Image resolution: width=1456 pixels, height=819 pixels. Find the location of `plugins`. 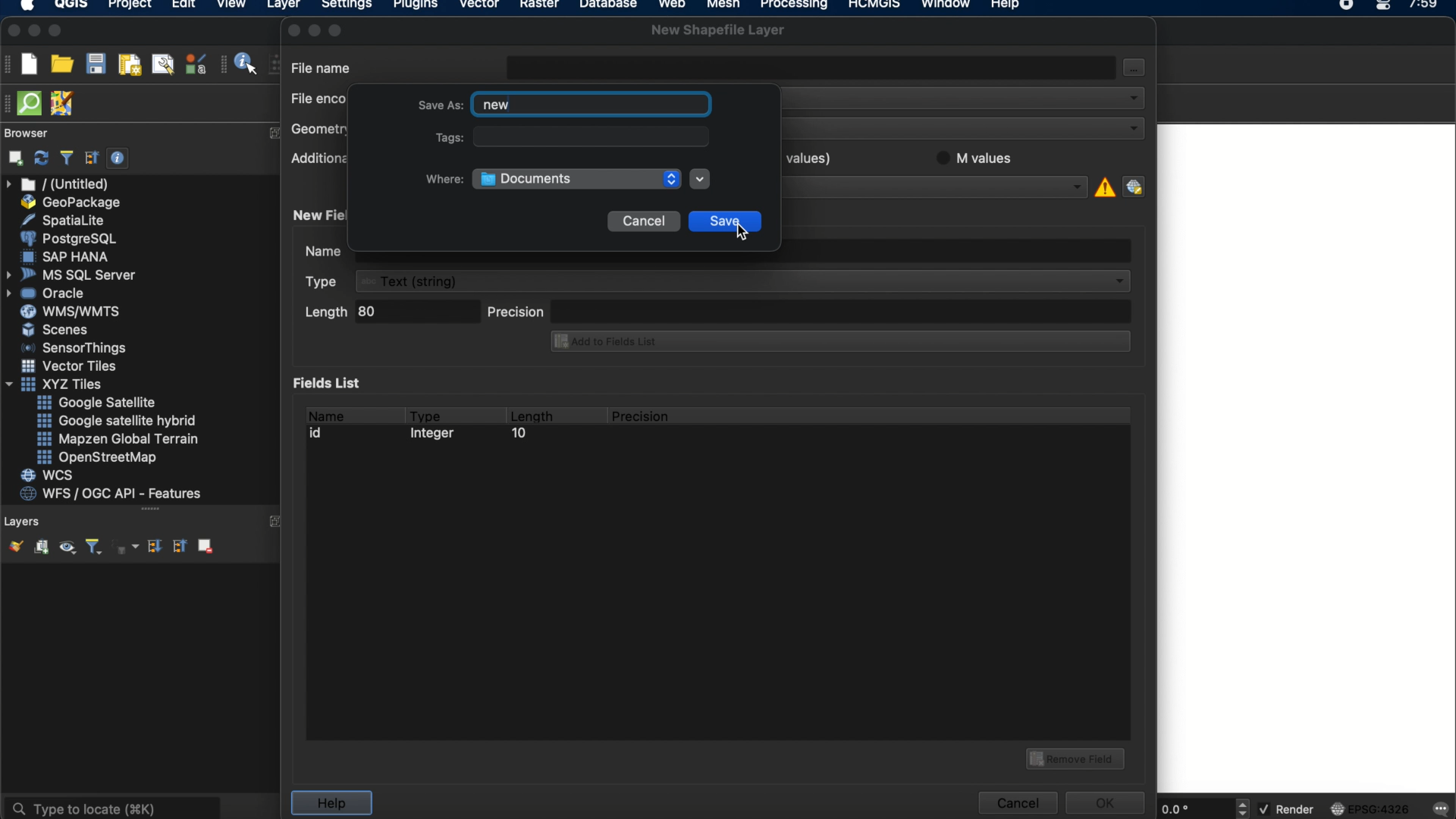

plugins is located at coordinates (416, 7).